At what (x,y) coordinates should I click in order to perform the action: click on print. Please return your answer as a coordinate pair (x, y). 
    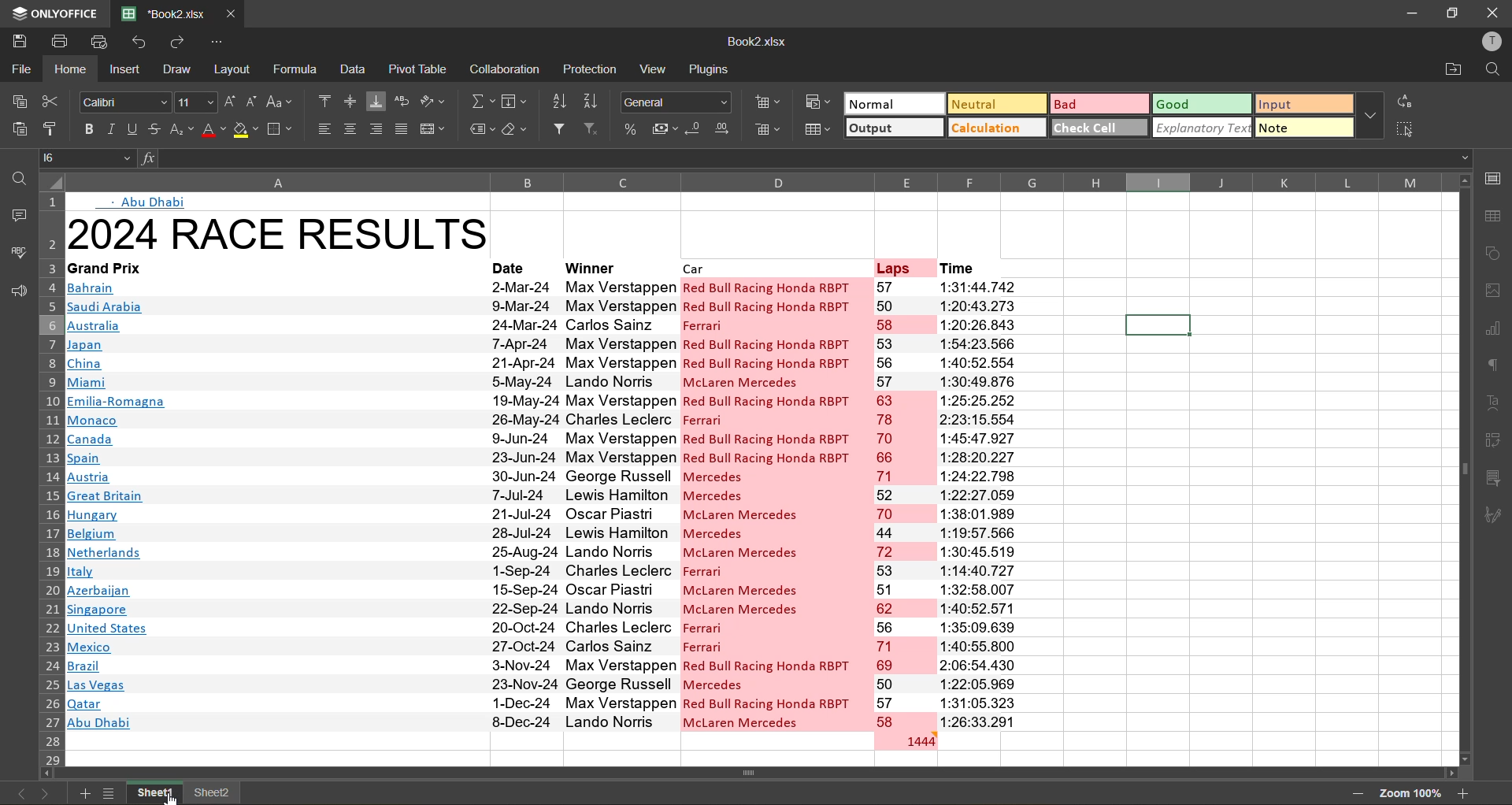
    Looking at the image, I should click on (58, 42).